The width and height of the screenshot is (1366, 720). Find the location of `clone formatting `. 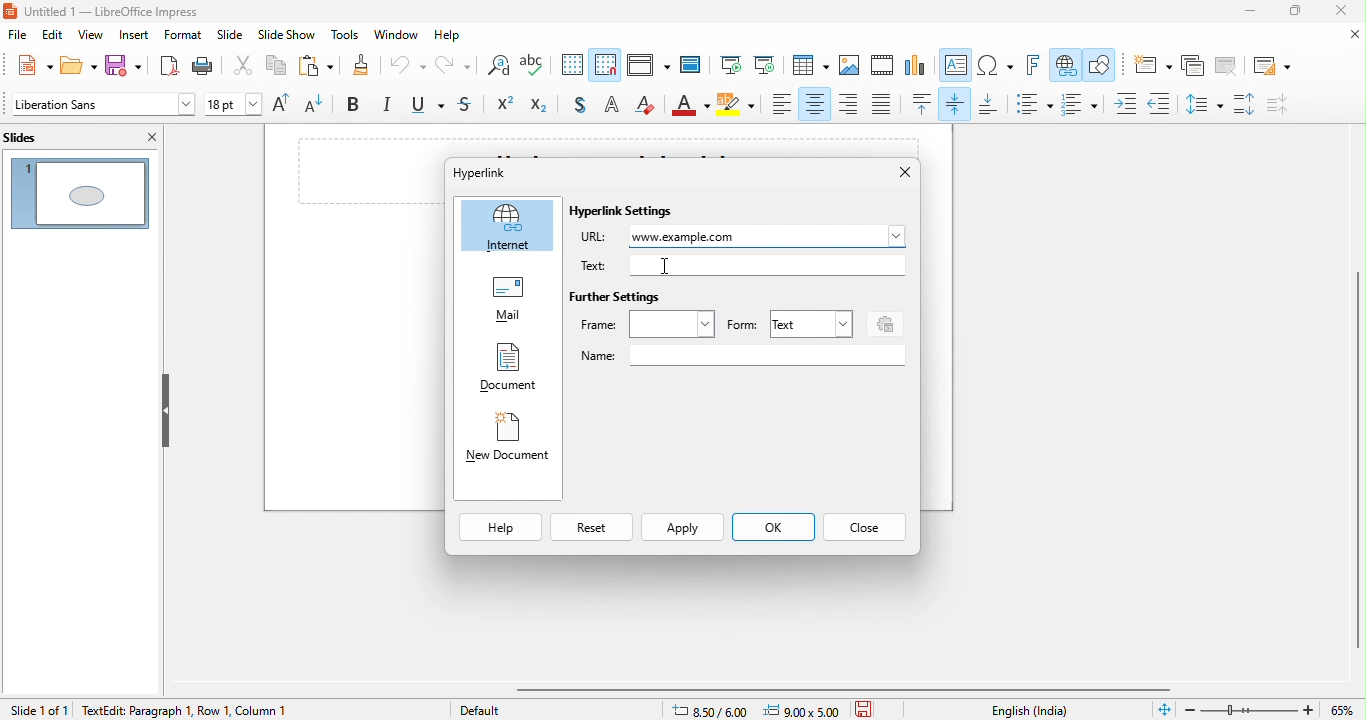

clone formatting  is located at coordinates (359, 67).